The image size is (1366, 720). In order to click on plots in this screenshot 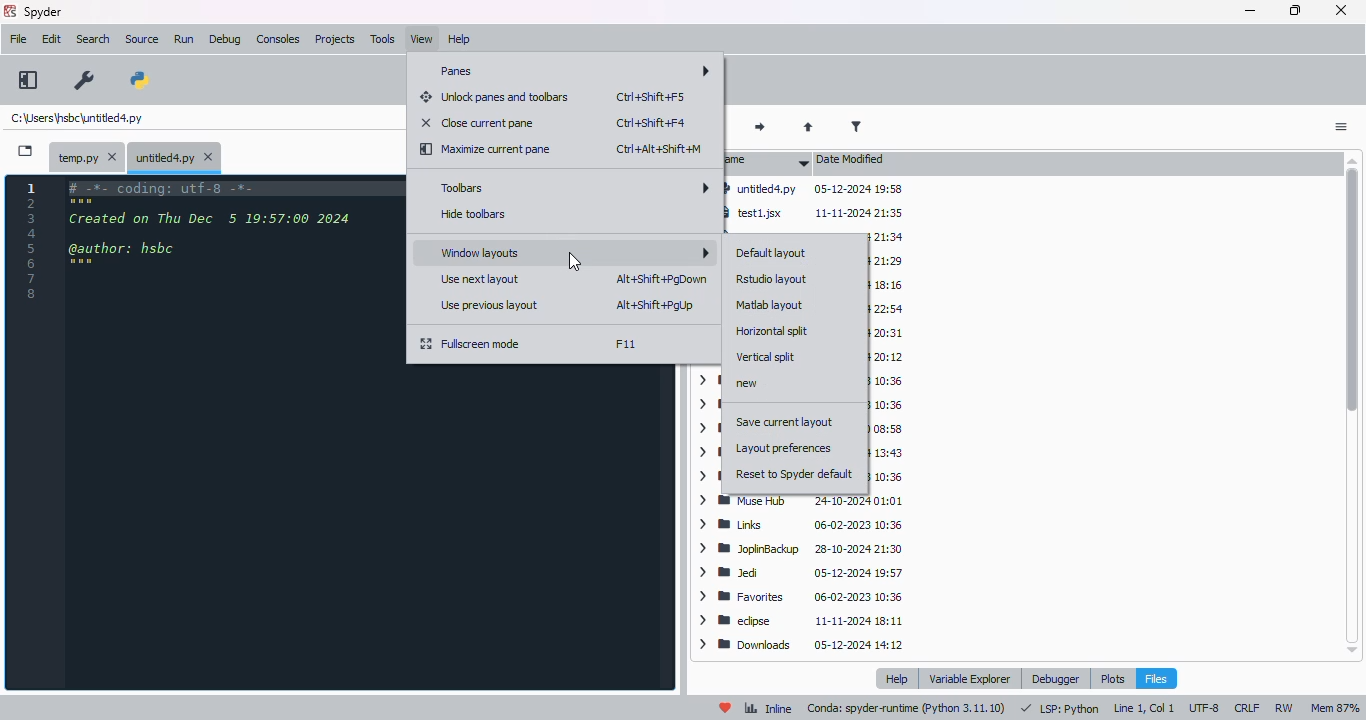, I will do `click(1112, 678)`.